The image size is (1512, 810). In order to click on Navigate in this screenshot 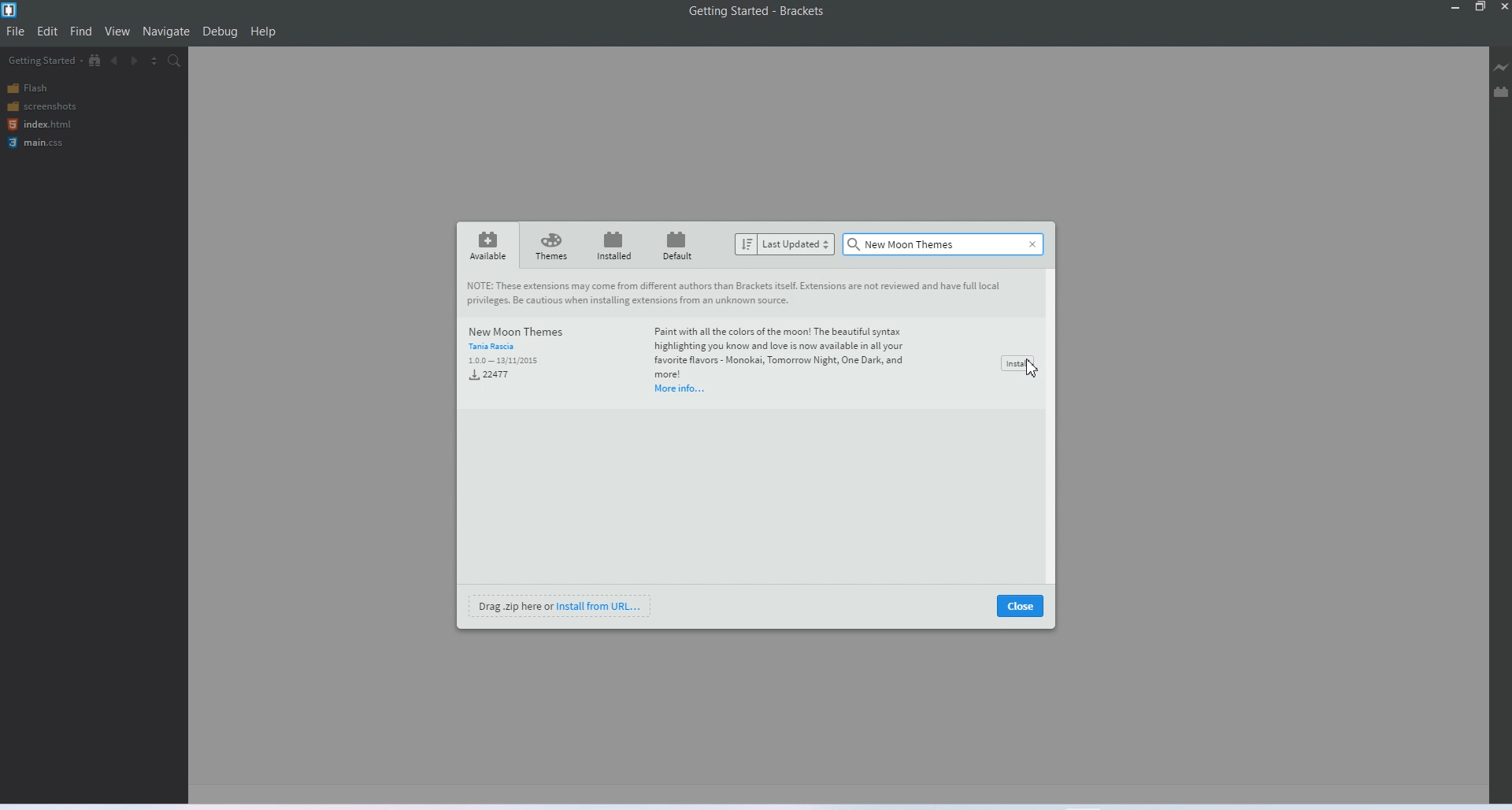, I will do `click(166, 32)`.